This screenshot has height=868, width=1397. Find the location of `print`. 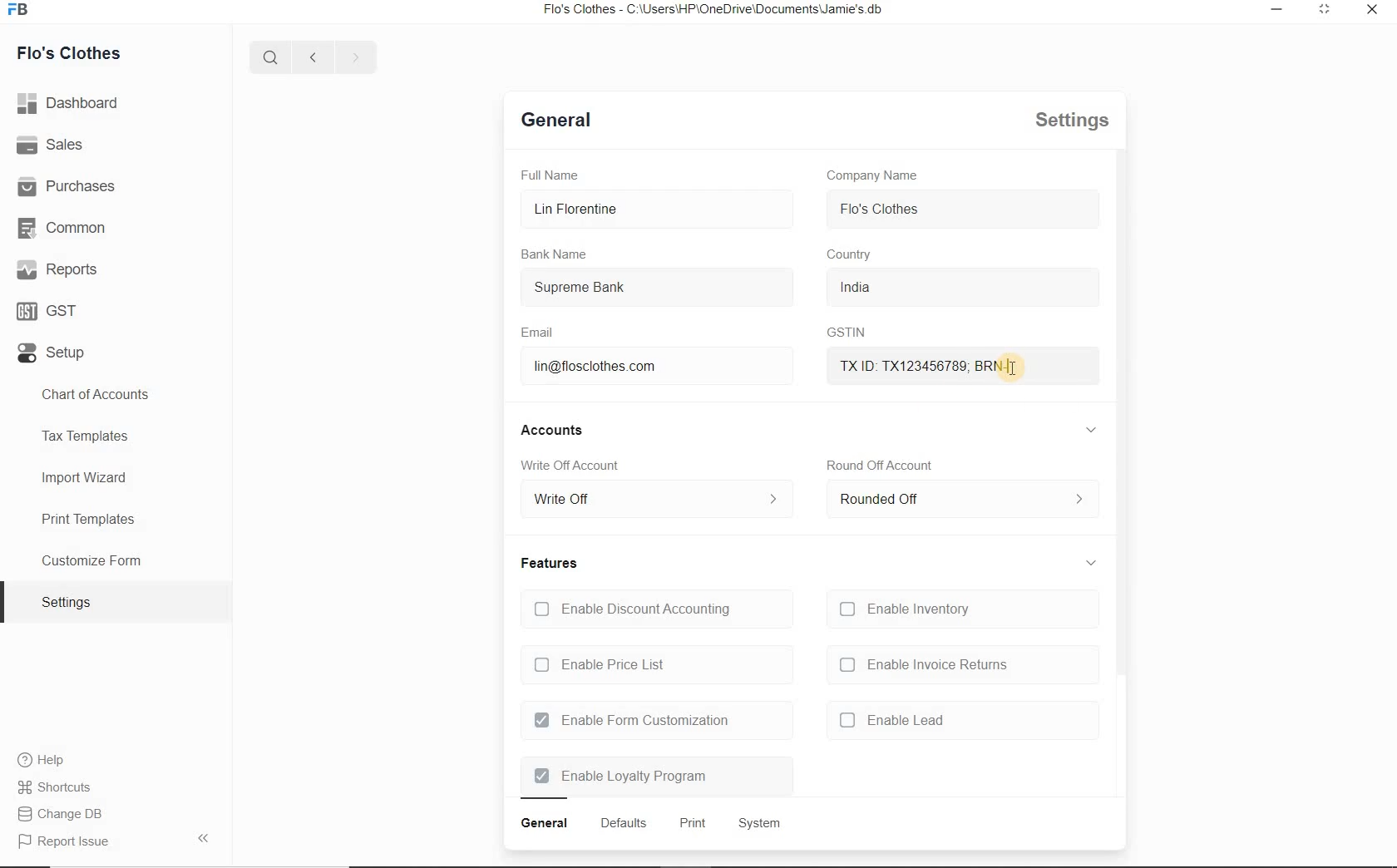

print is located at coordinates (691, 825).